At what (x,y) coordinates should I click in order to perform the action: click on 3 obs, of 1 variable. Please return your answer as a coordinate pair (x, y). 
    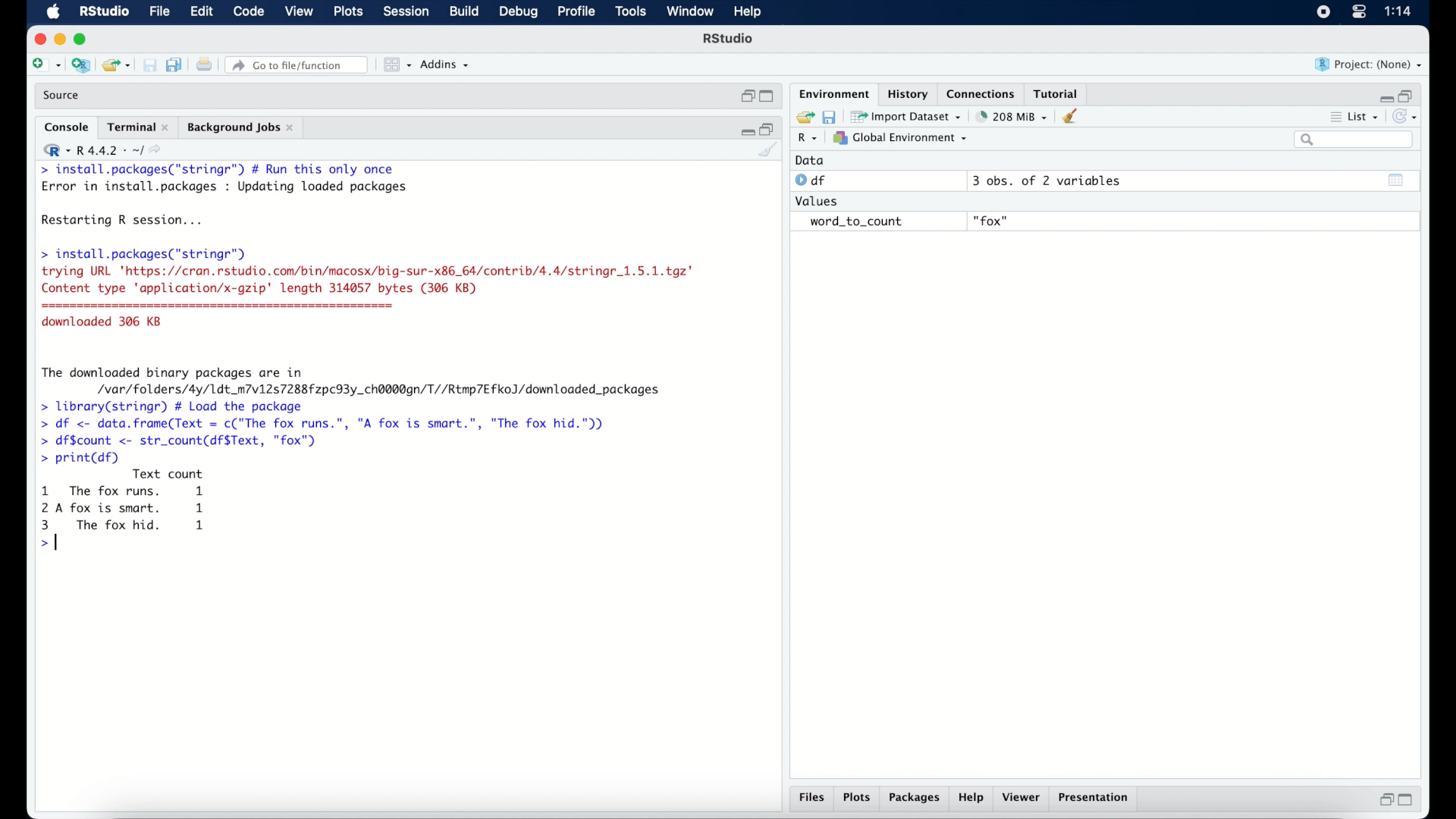
    Looking at the image, I should click on (1050, 180).